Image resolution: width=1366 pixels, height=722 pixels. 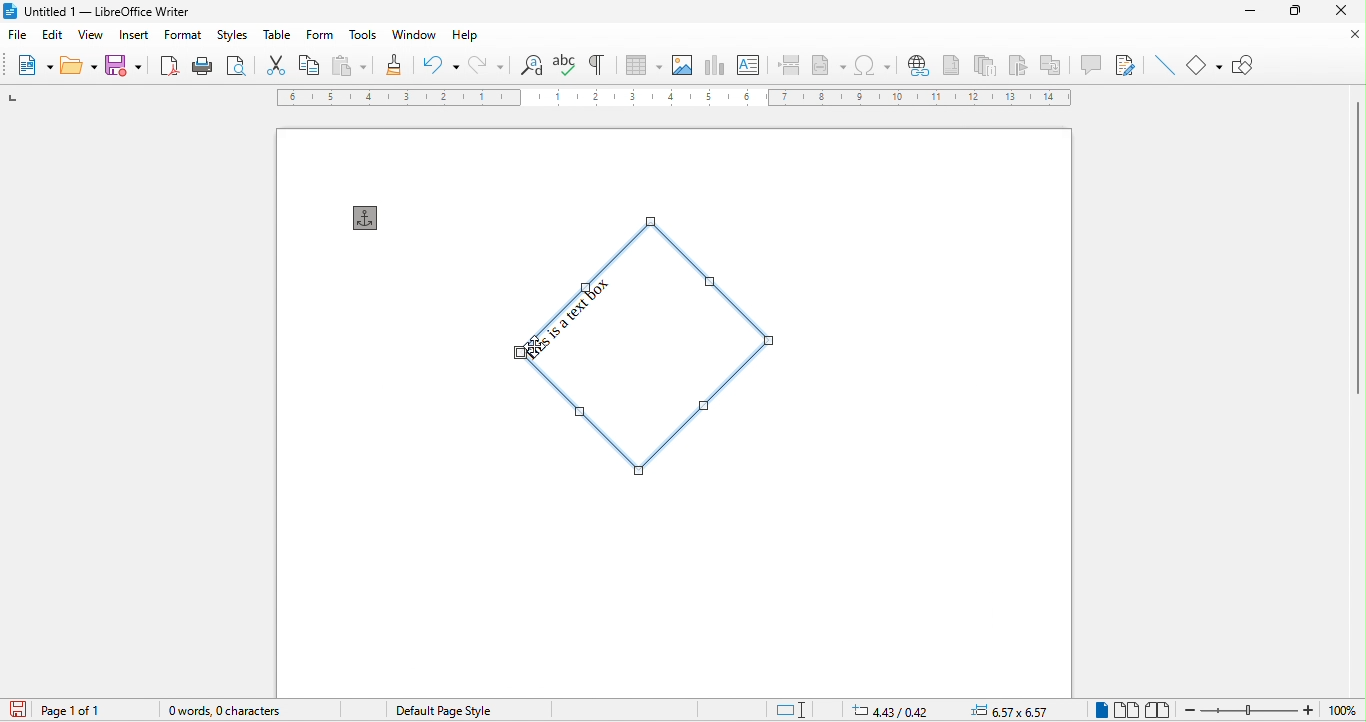 I want to click on export directly as pdf, so click(x=169, y=64).